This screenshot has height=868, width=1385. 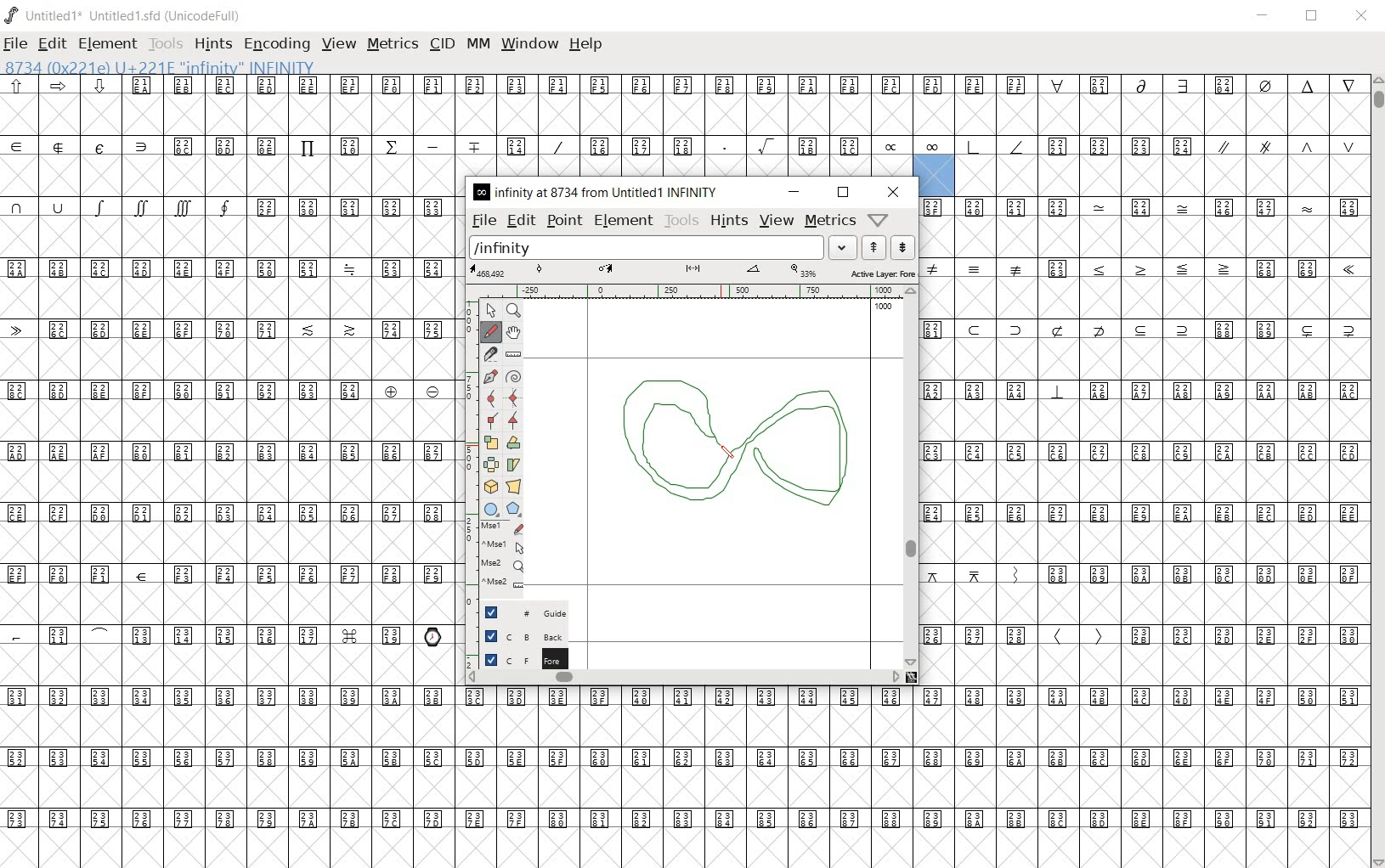 What do you see at coordinates (513, 420) in the screenshot?
I see `Add a corner point` at bounding box center [513, 420].